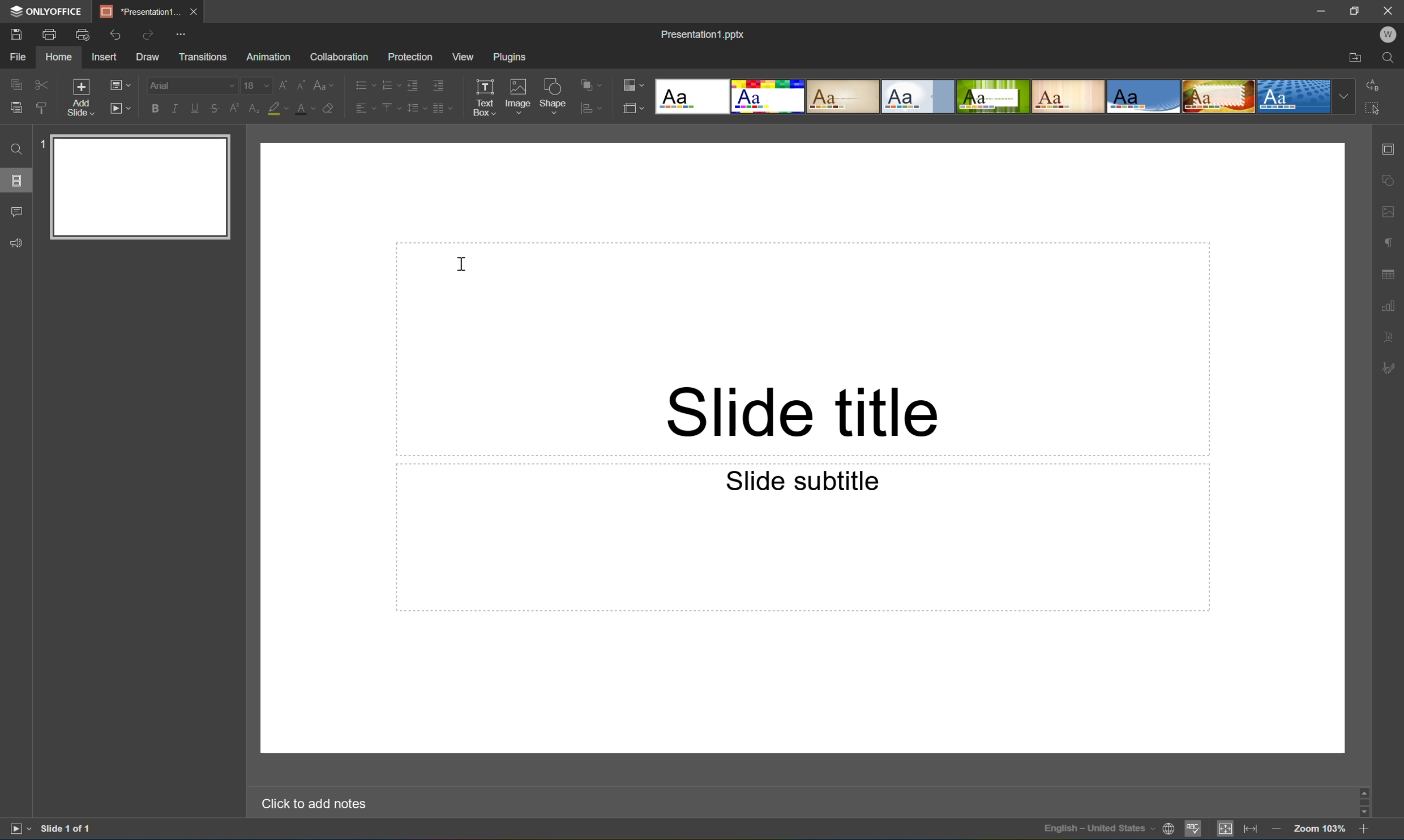 The image size is (1404, 840). Describe the element at coordinates (341, 58) in the screenshot. I see `Collaboration` at that location.